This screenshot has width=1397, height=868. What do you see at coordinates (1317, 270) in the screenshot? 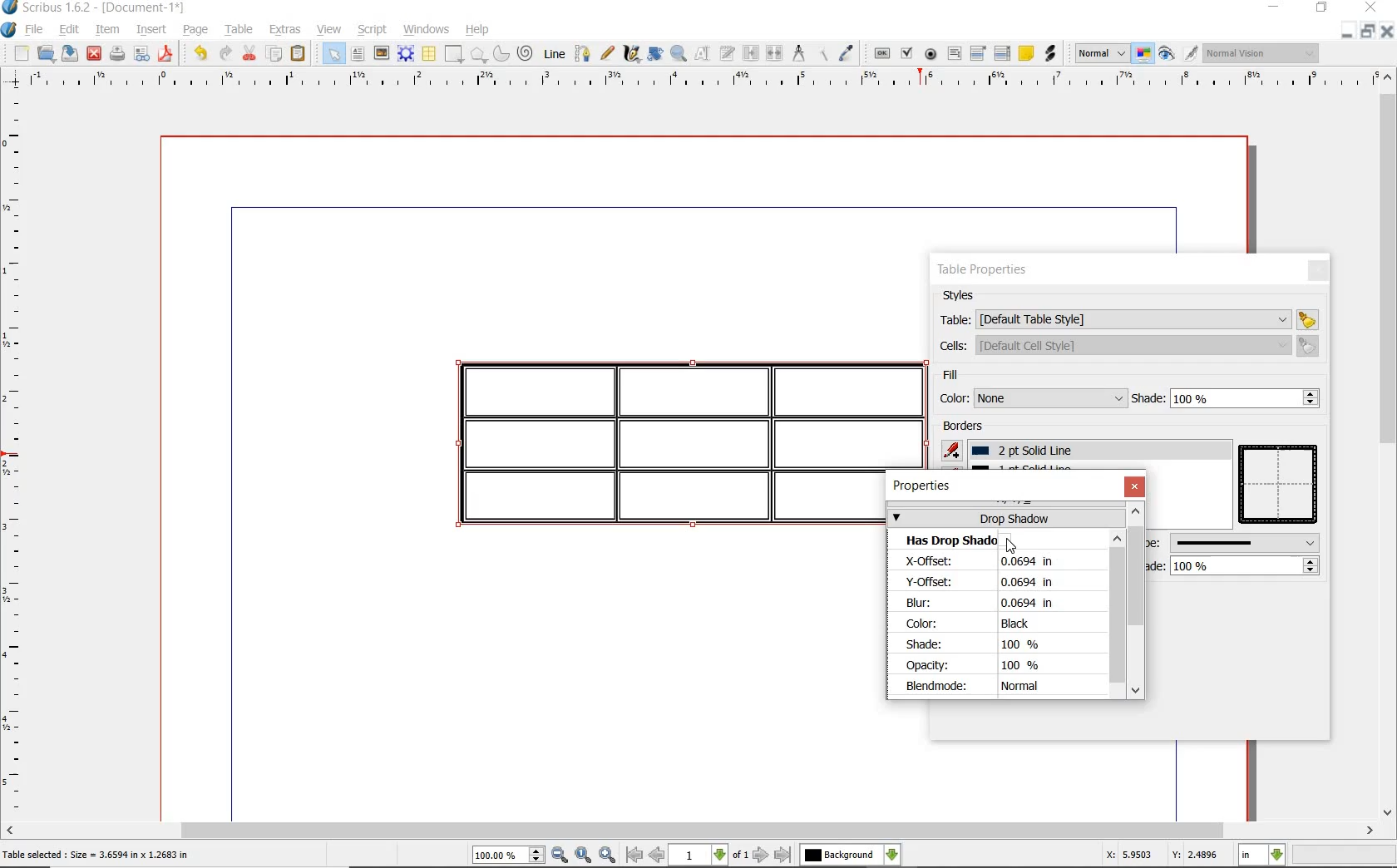
I see `close` at bounding box center [1317, 270].